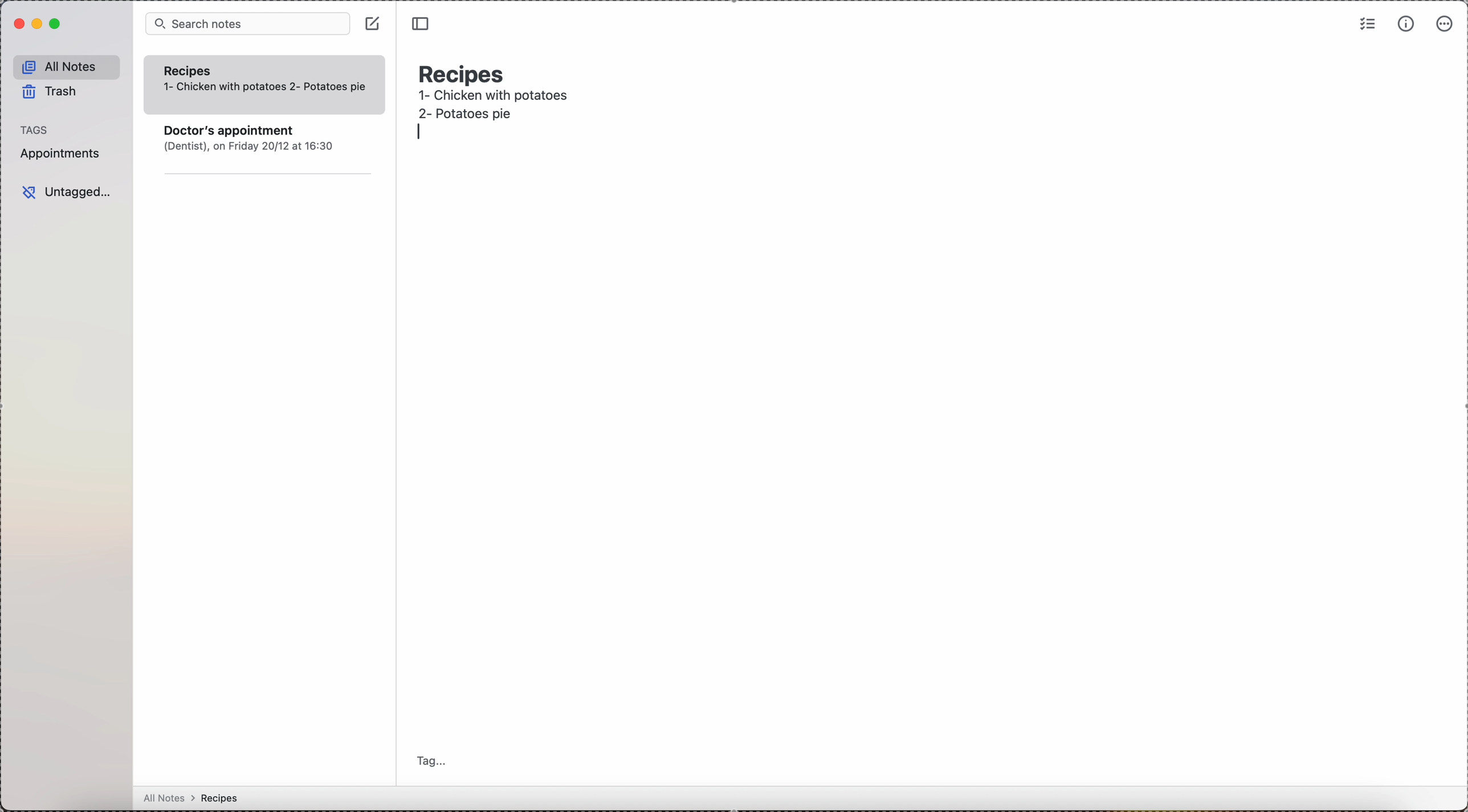  Describe the element at coordinates (426, 132) in the screenshot. I see `enter` at that location.